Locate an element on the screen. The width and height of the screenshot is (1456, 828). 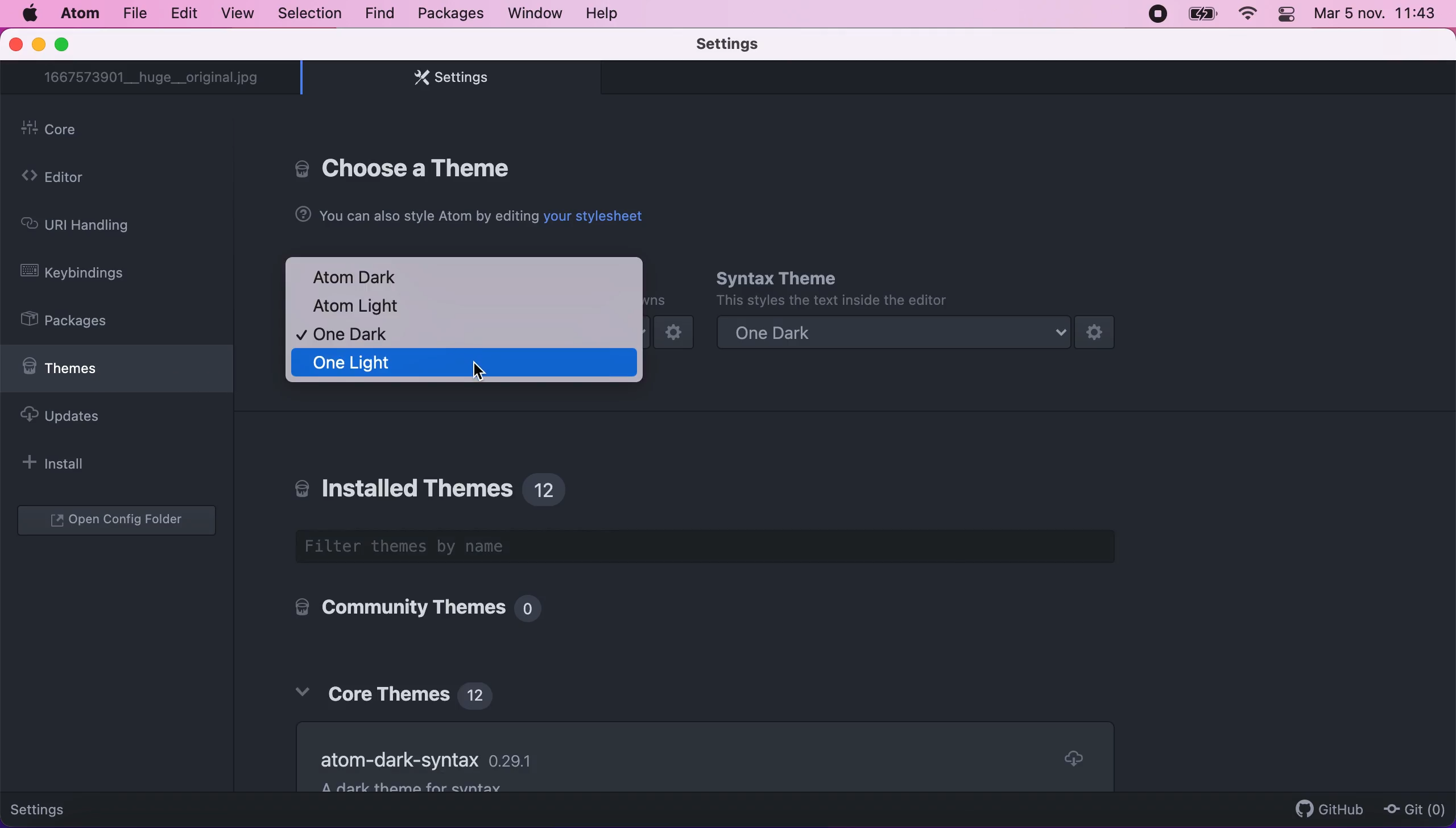
core themes is located at coordinates (402, 690).